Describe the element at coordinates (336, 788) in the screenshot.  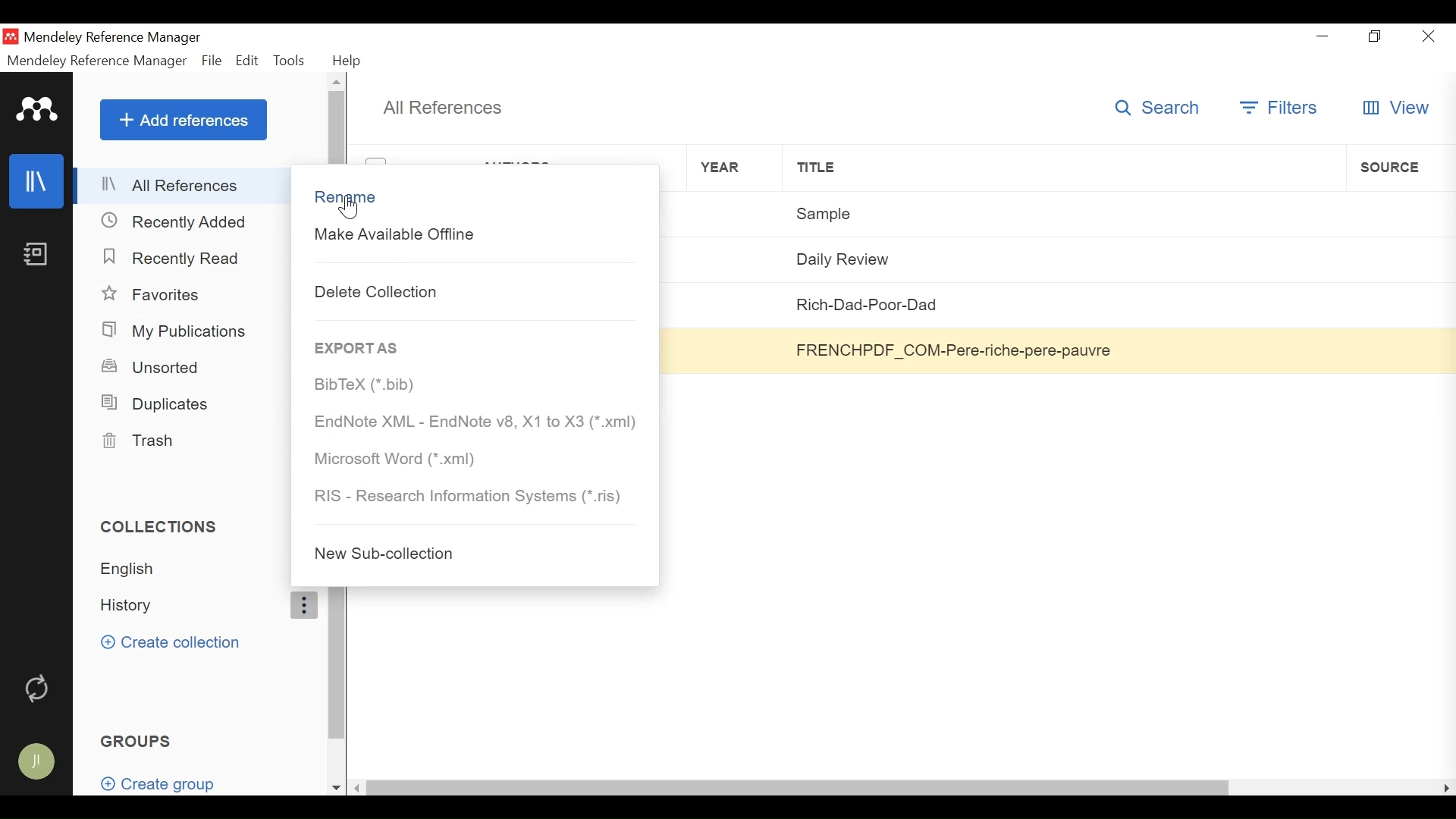
I see `Scroll down` at that location.